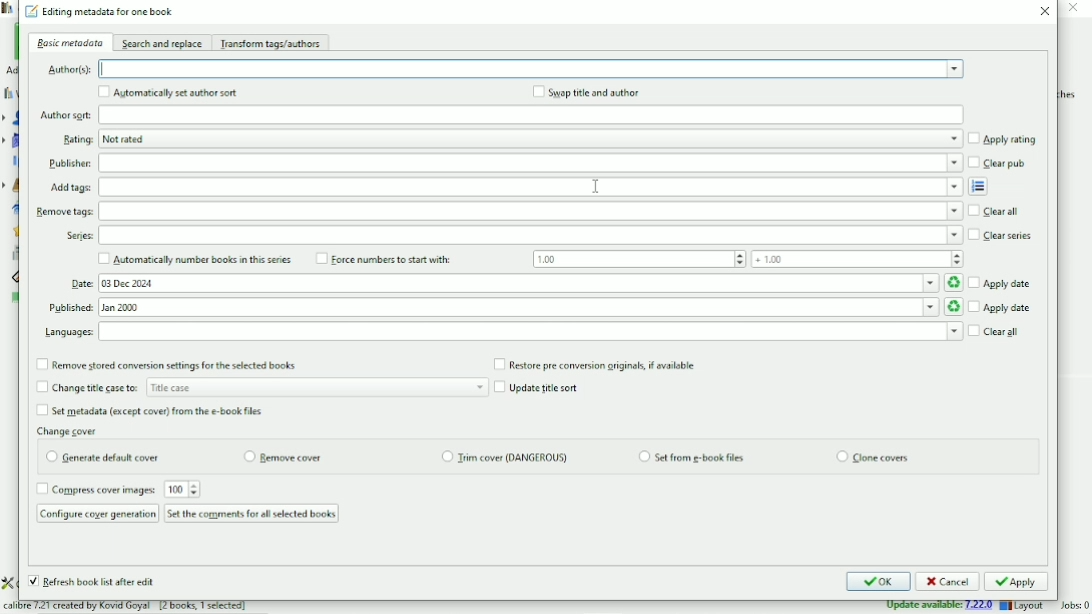 The image size is (1092, 614). I want to click on Cancel, so click(947, 582).